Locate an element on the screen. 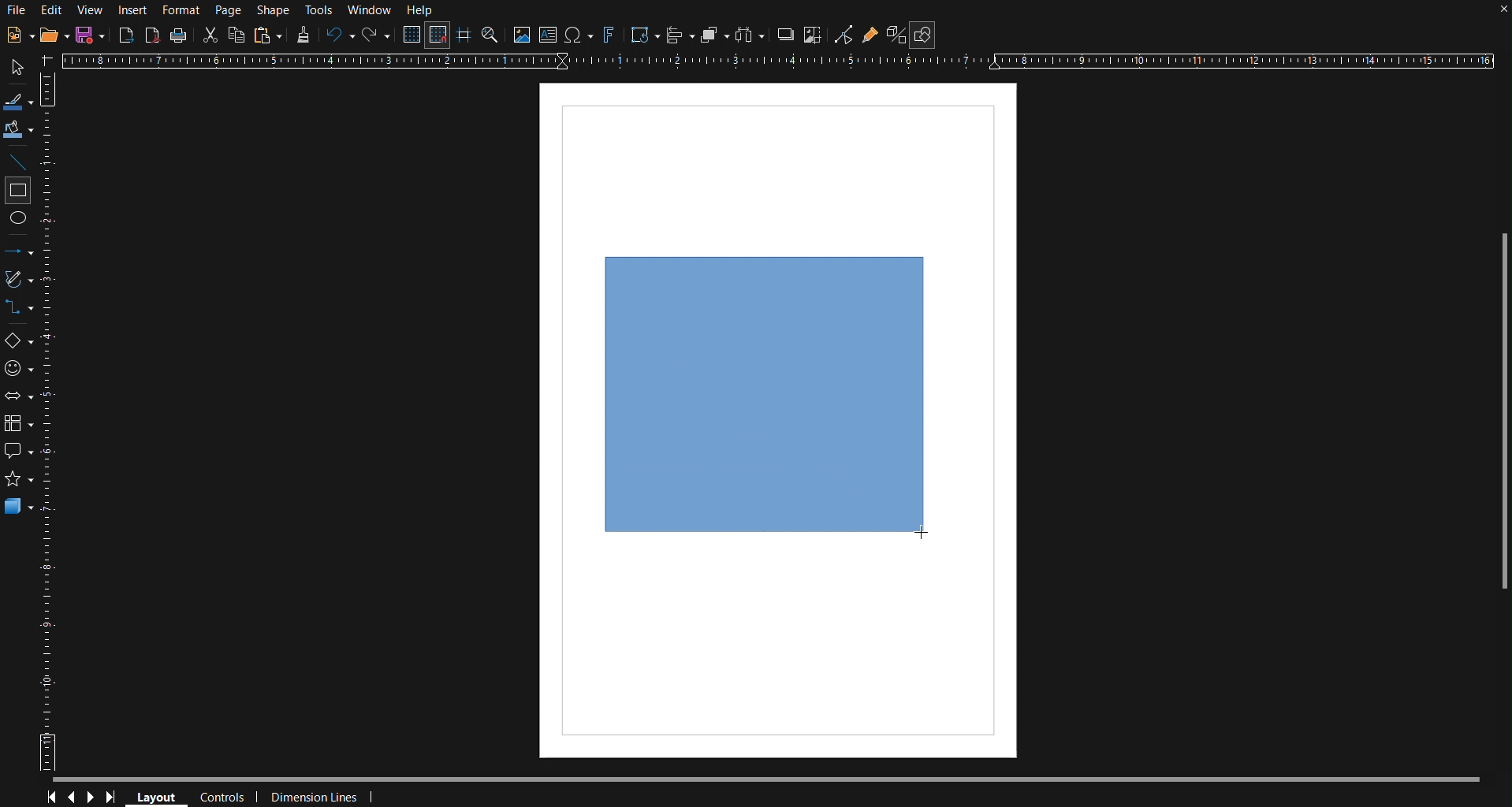 The height and width of the screenshot is (807, 1512). Next is located at coordinates (91, 798).